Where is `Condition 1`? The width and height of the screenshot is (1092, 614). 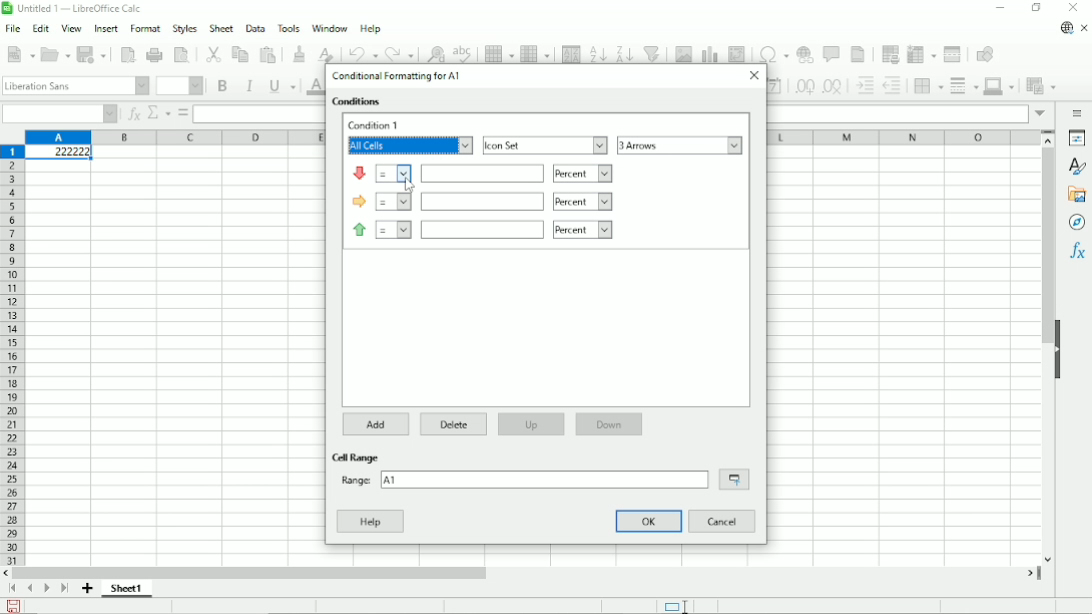 Condition 1 is located at coordinates (376, 125).